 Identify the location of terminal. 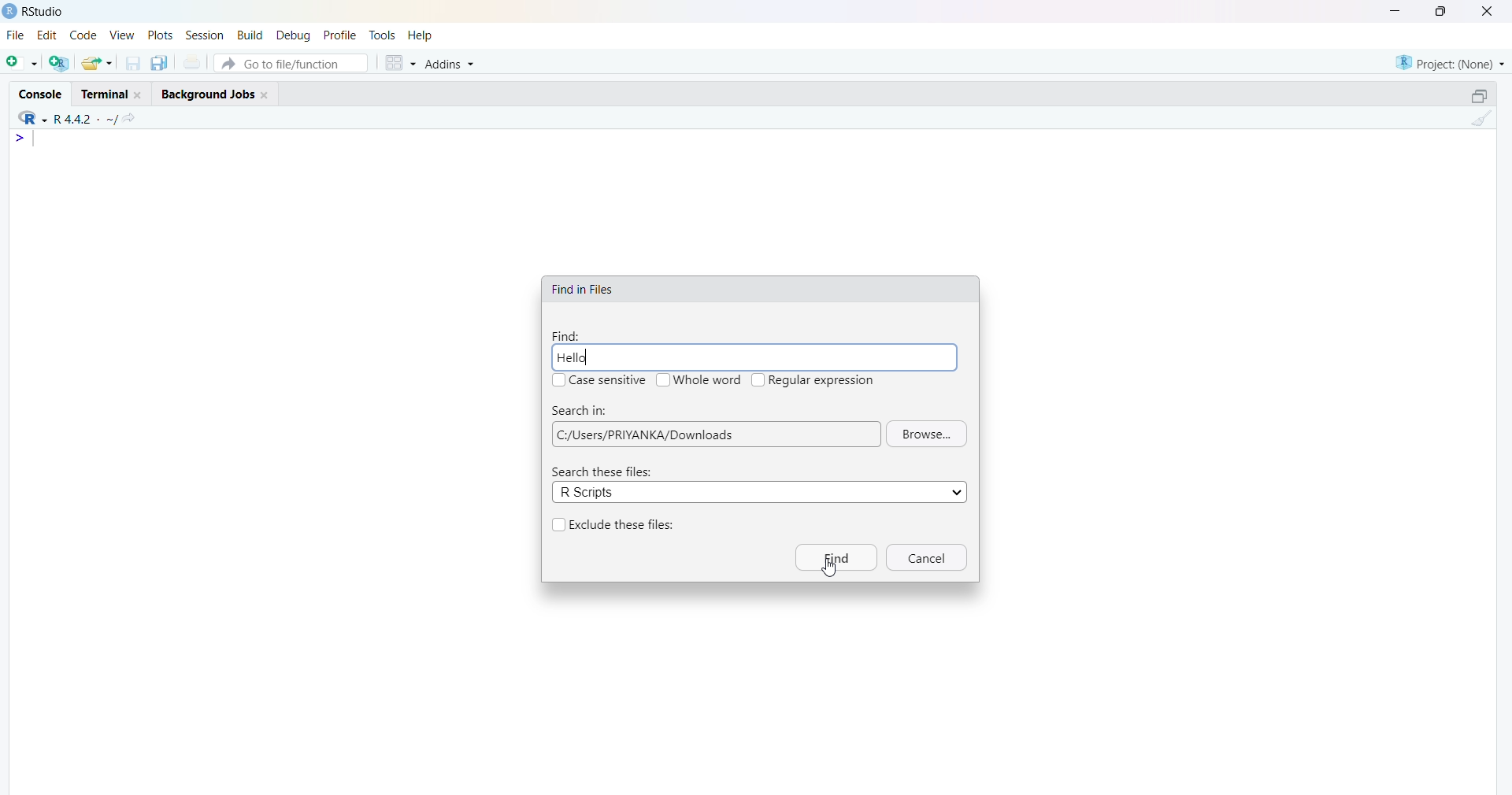
(104, 94).